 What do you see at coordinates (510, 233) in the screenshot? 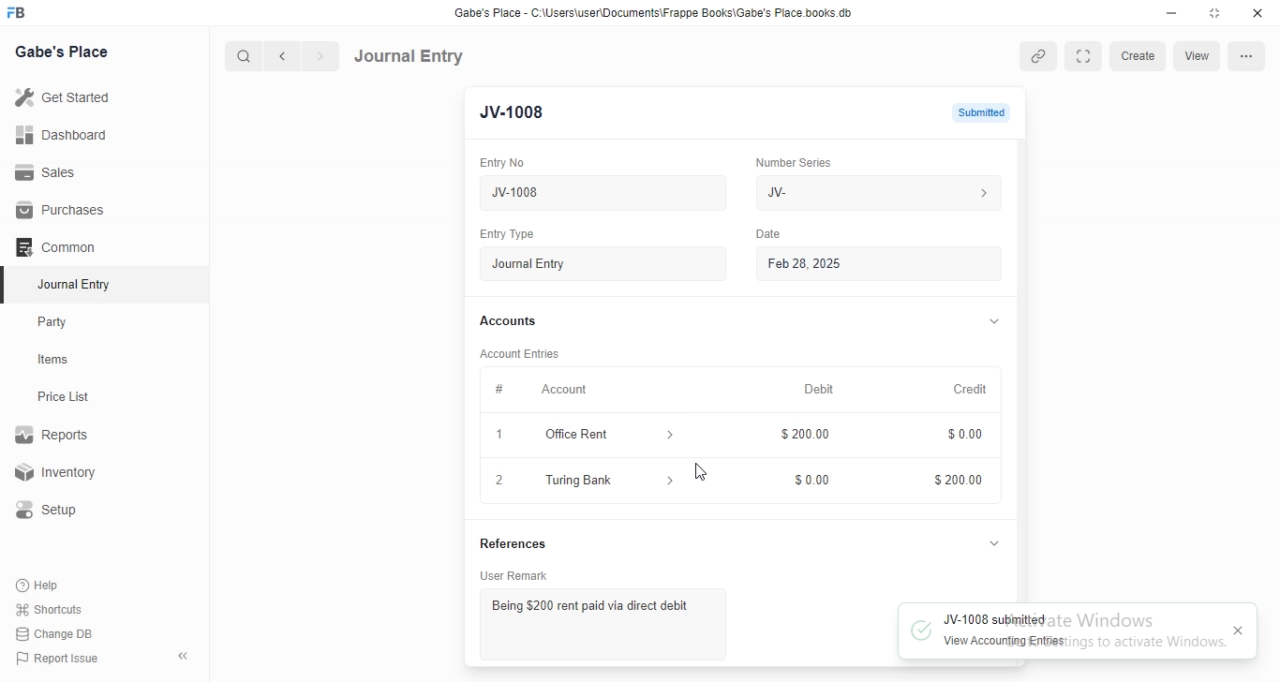
I see `Entry Type` at bounding box center [510, 233].